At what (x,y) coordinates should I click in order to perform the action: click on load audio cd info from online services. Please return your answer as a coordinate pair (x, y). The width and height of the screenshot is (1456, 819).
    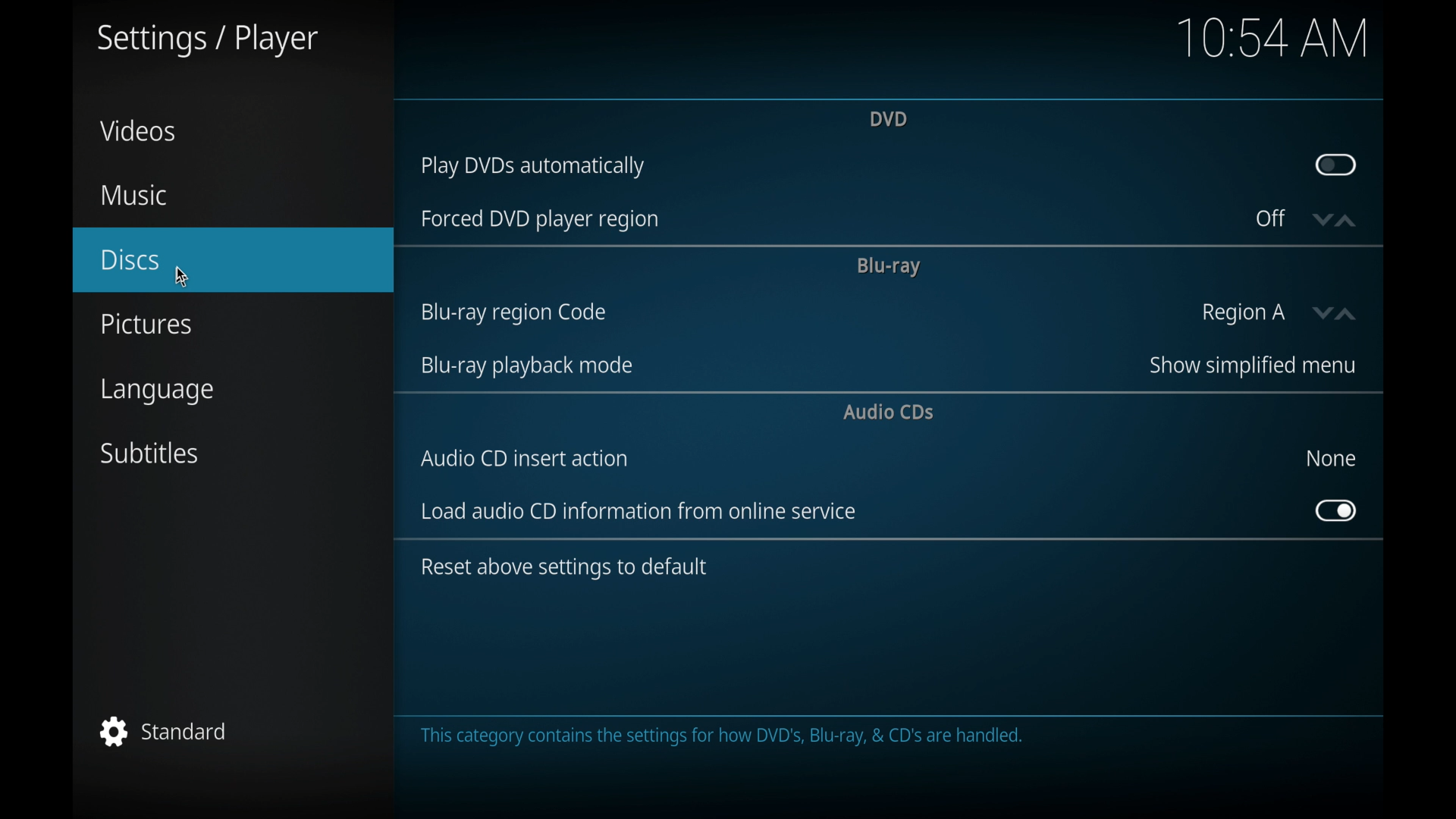
    Looking at the image, I should click on (639, 511).